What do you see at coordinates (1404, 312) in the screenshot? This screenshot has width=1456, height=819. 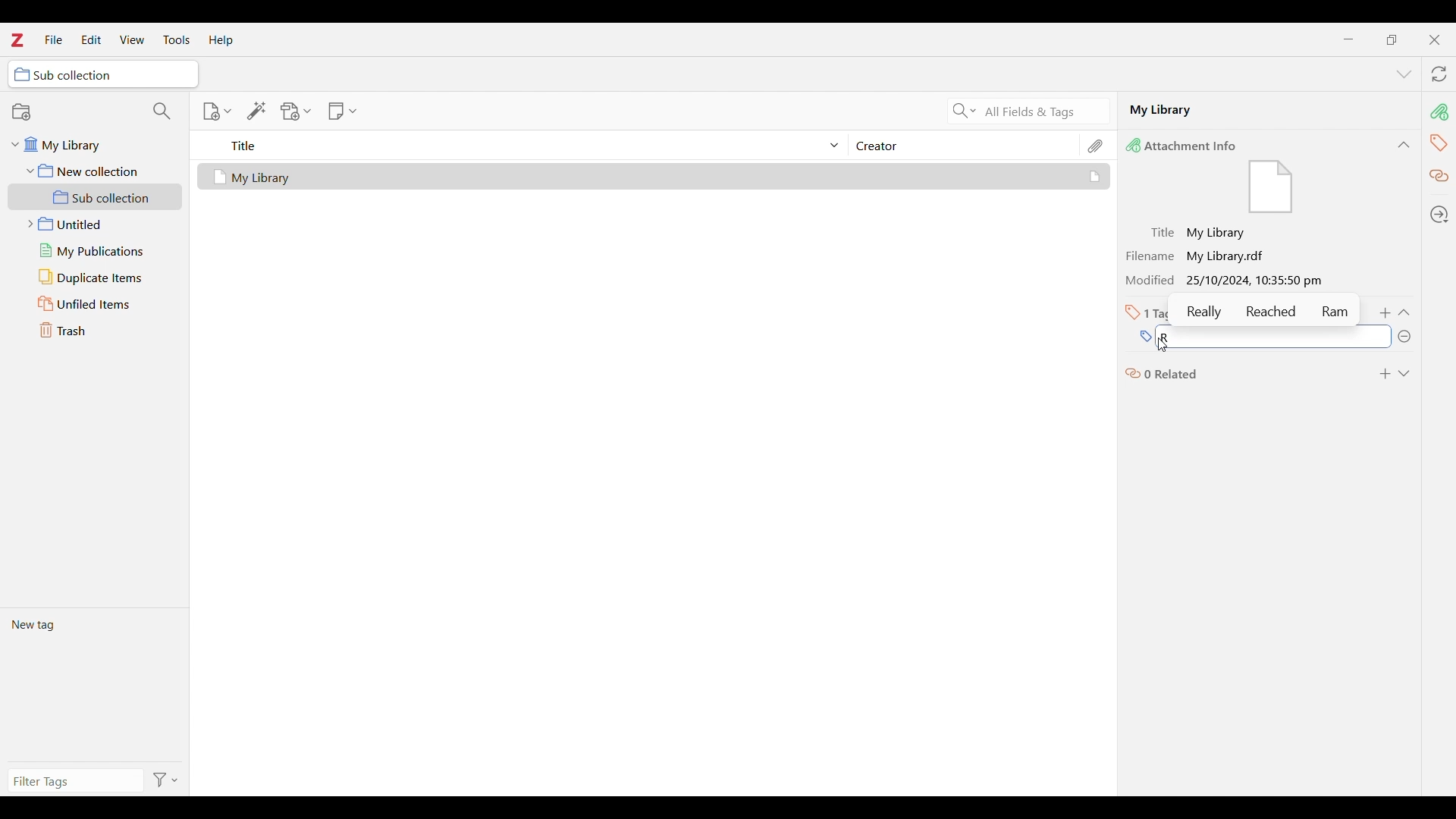 I see `Collapse` at bounding box center [1404, 312].